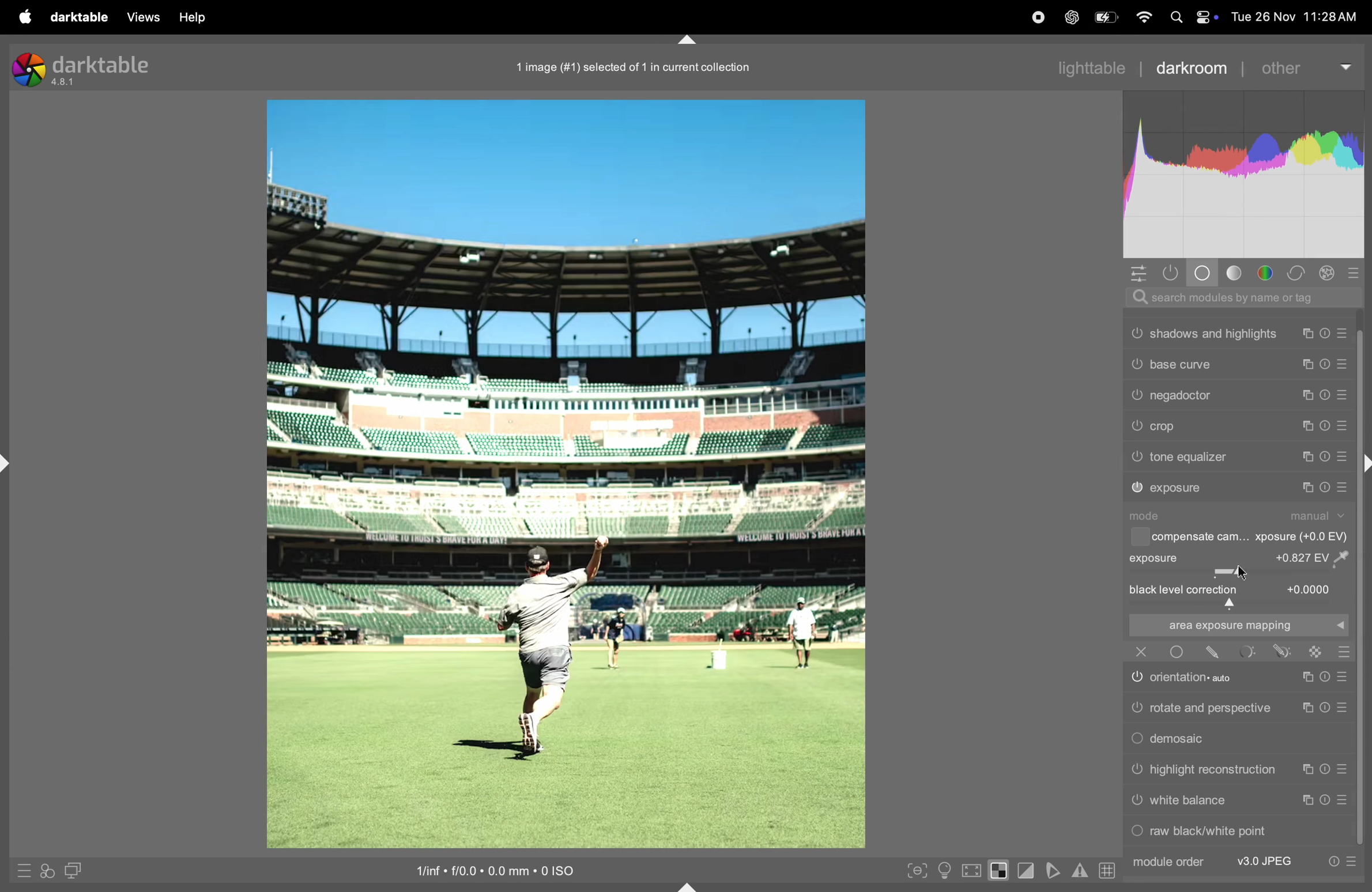  I want to click on presets, so click(1356, 272).